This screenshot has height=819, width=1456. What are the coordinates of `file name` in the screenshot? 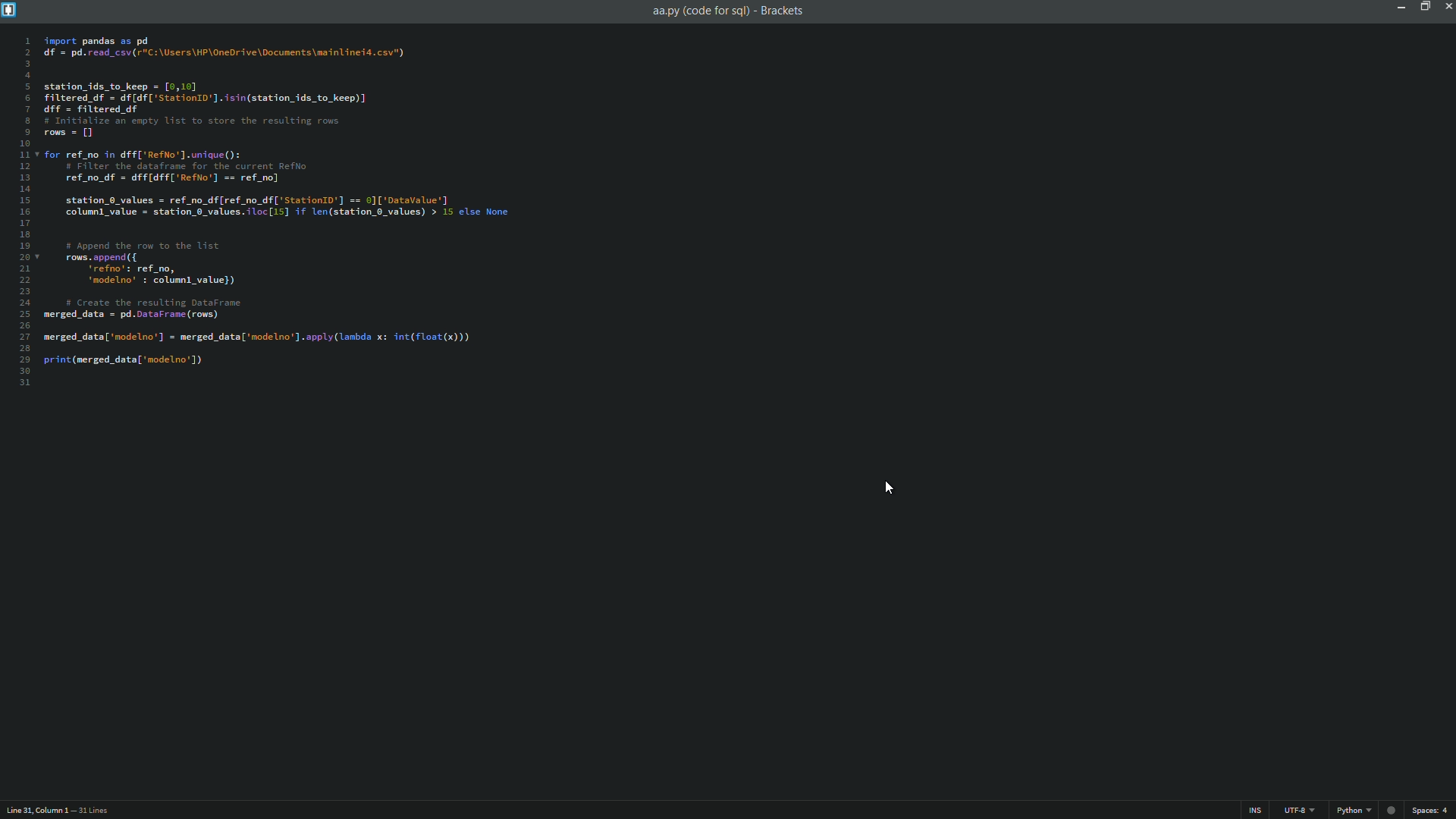 It's located at (698, 11).